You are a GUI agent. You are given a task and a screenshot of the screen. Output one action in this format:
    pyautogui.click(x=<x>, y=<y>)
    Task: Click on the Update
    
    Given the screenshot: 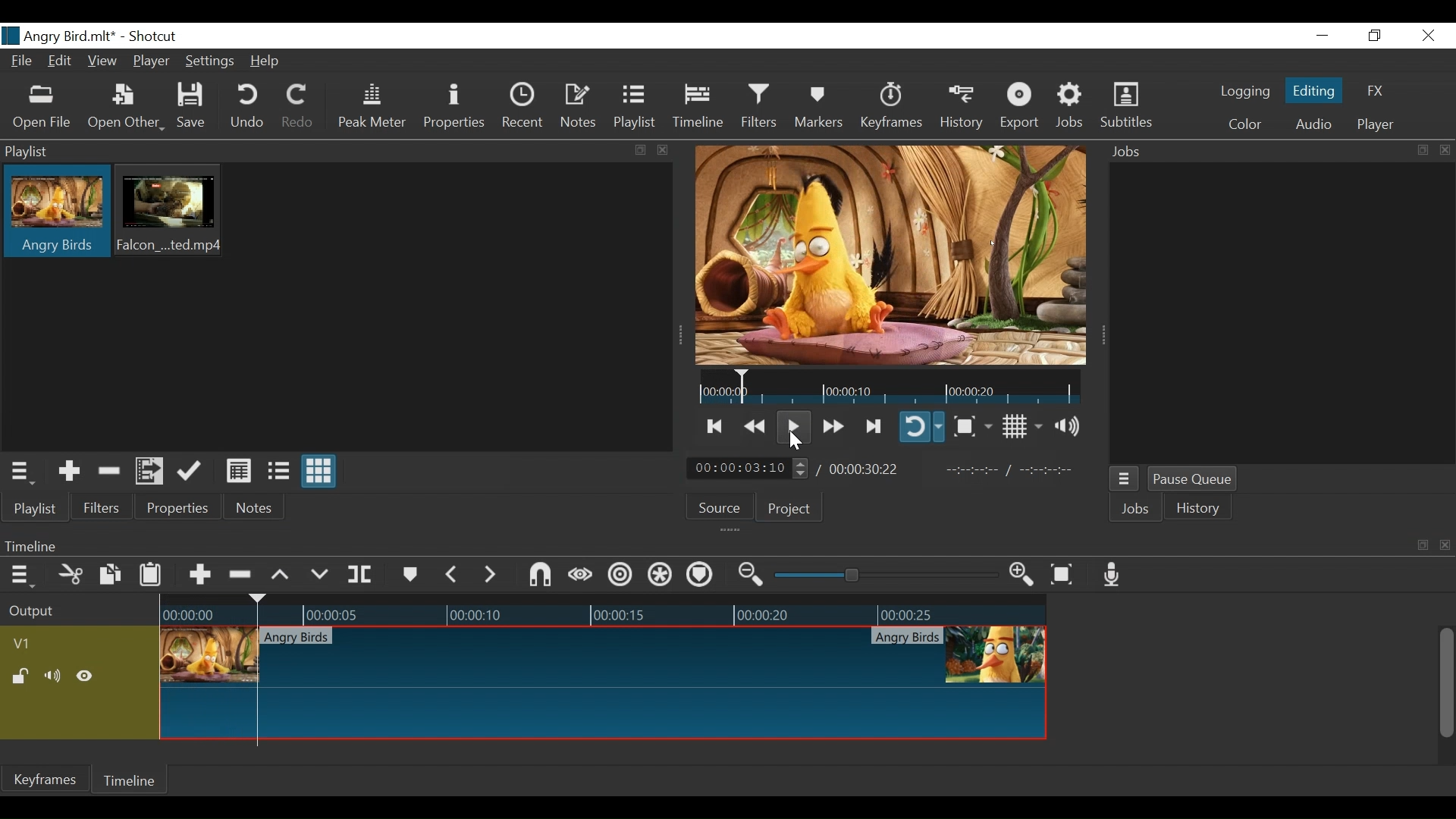 What is the action you would take?
    pyautogui.click(x=190, y=471)
    